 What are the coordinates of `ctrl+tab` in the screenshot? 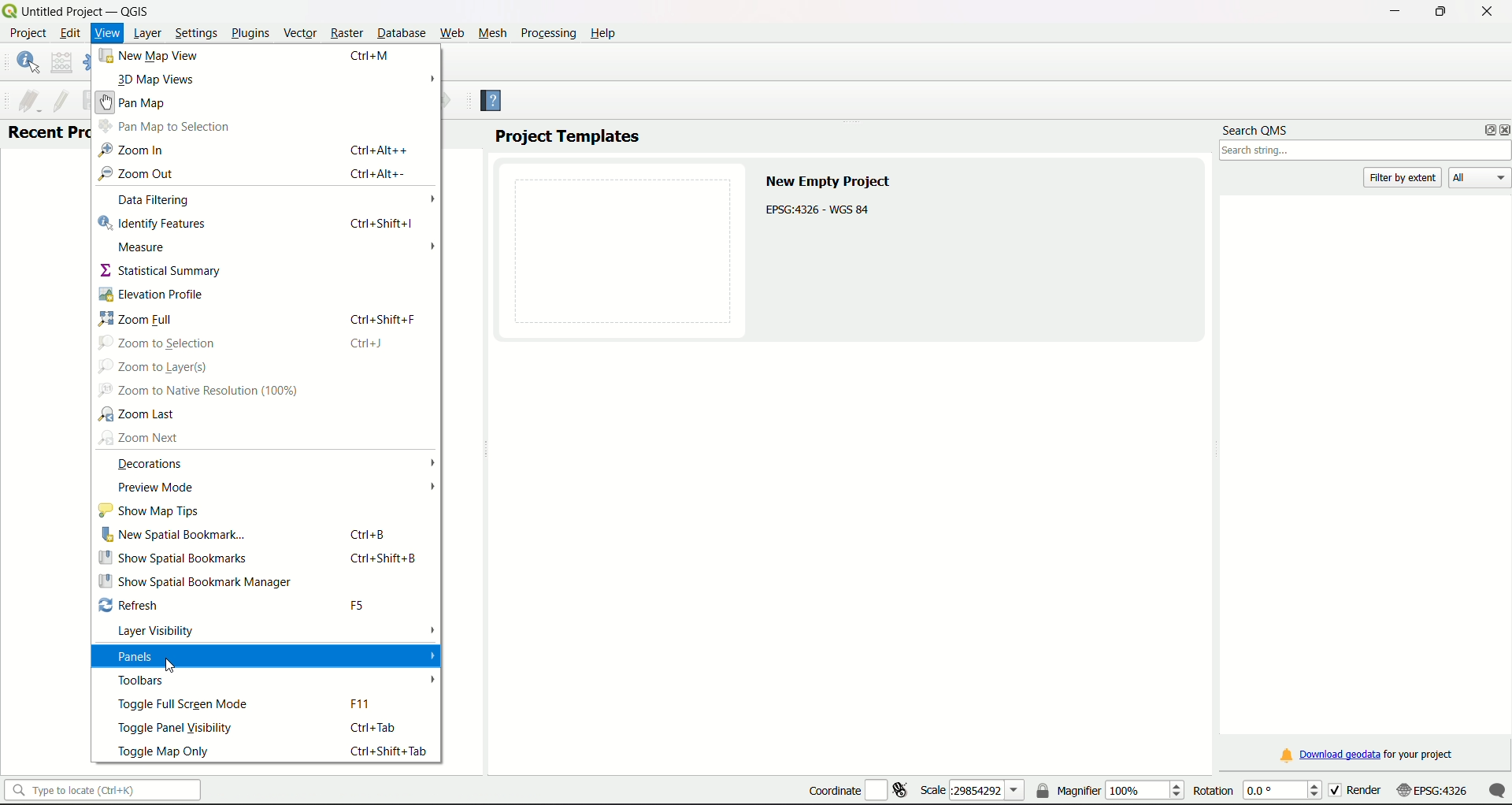 It's located at (376, 728).